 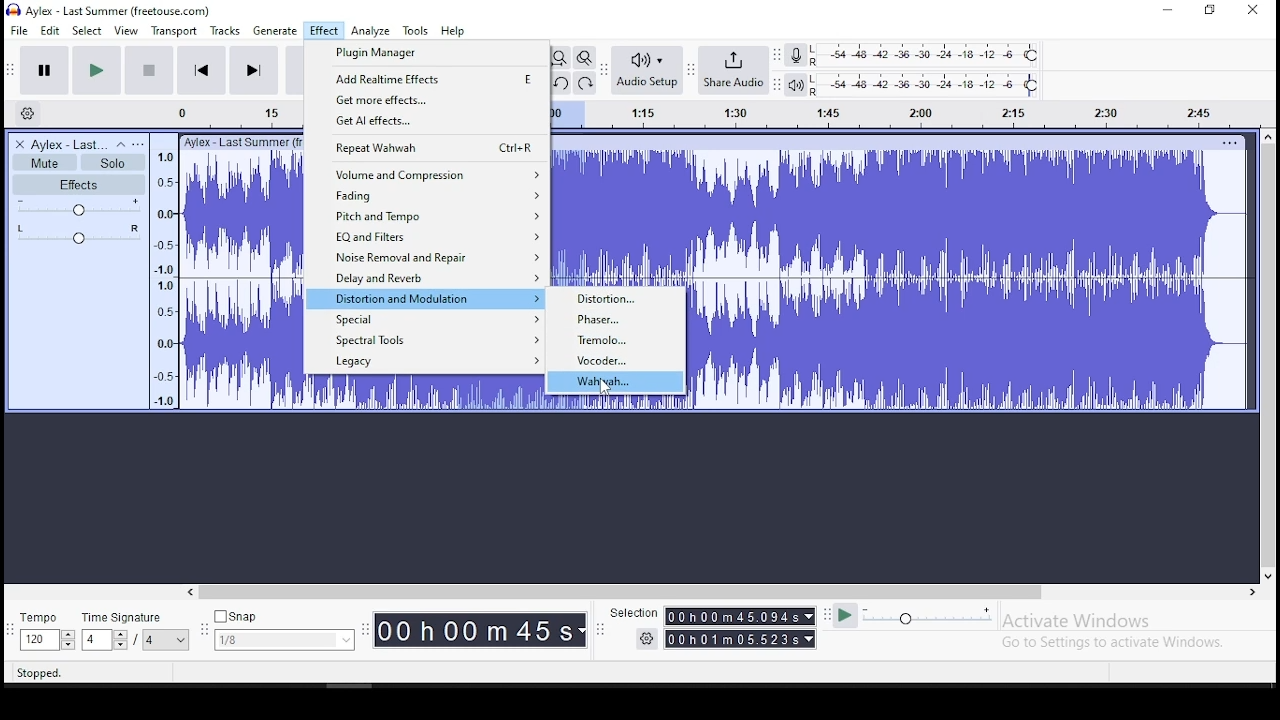 What do you see at coordinates (796, 54) in the screenshot?
I see `recording meter` at bounding box center [796, 54].